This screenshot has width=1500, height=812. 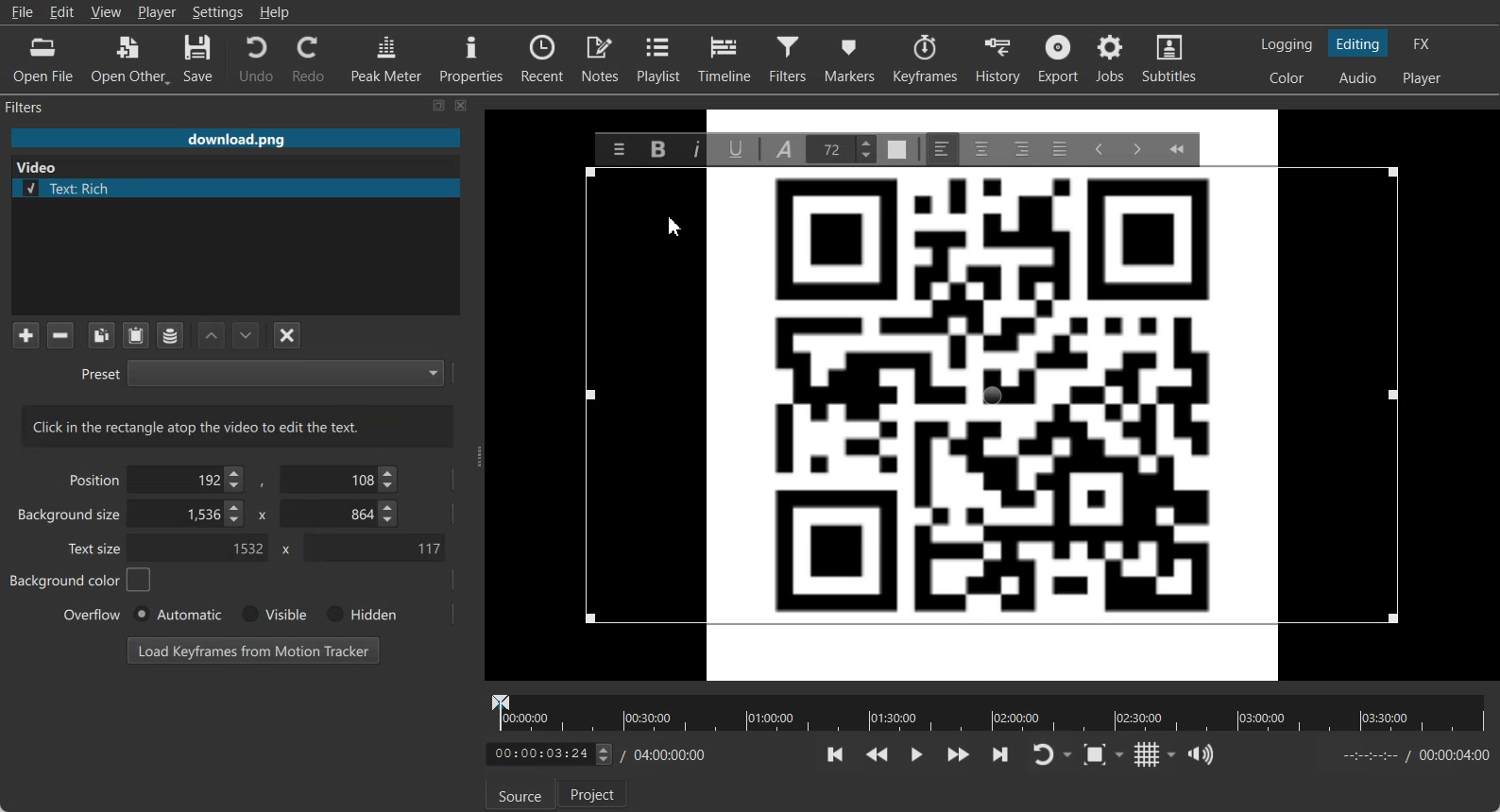 I want to click on Menu, so click(x=619, y=148).